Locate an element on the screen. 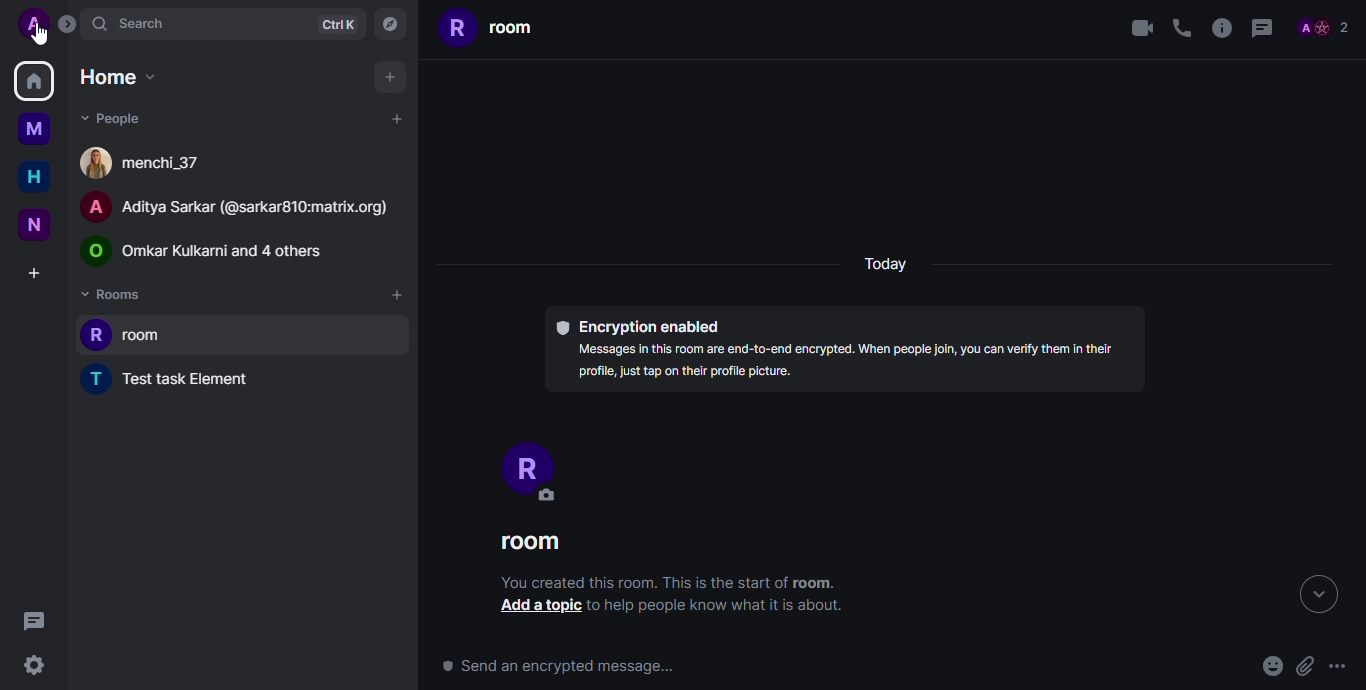  voice call is located at coordinates (1181, 28).